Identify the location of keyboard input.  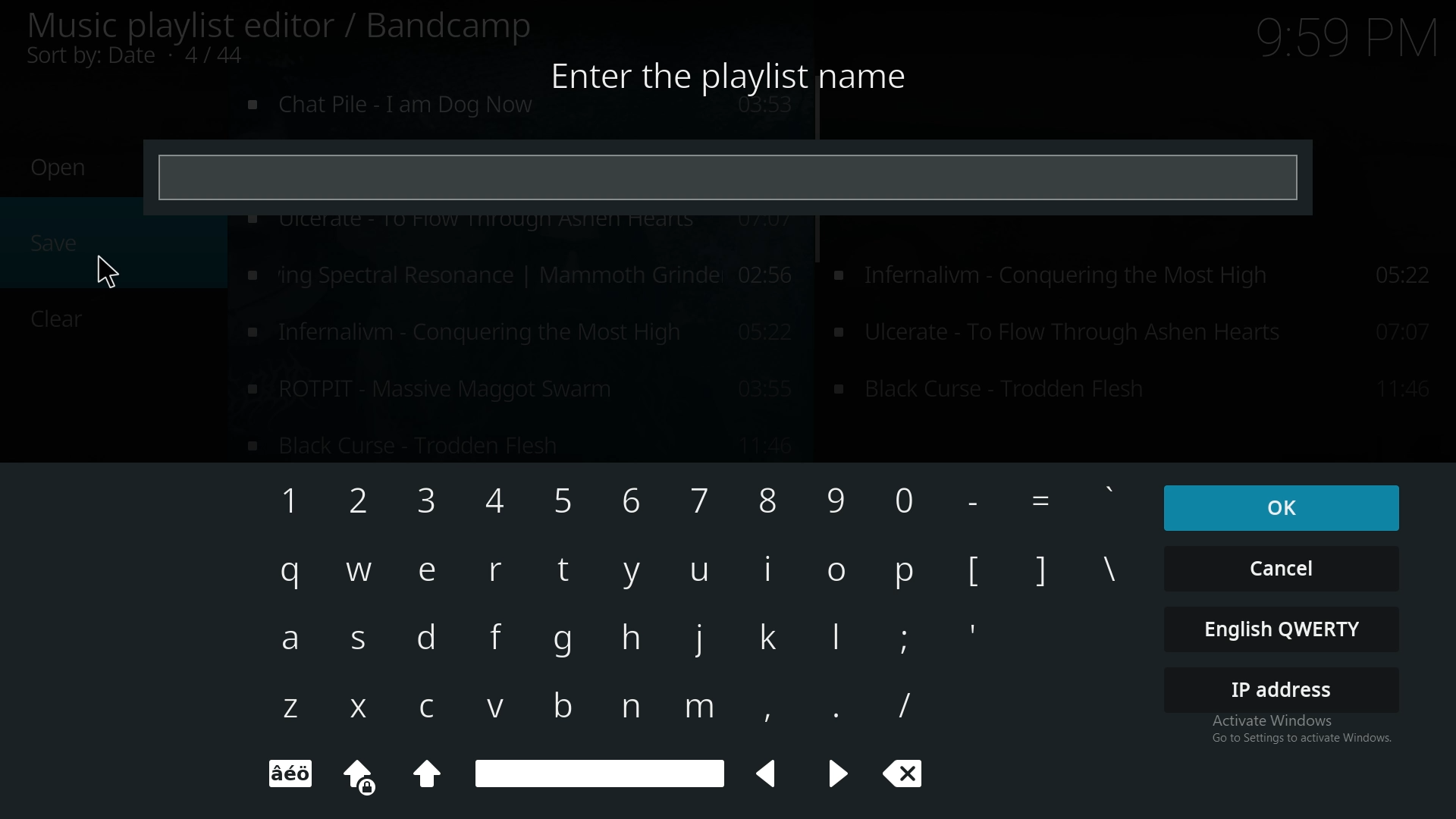
(500, 634).